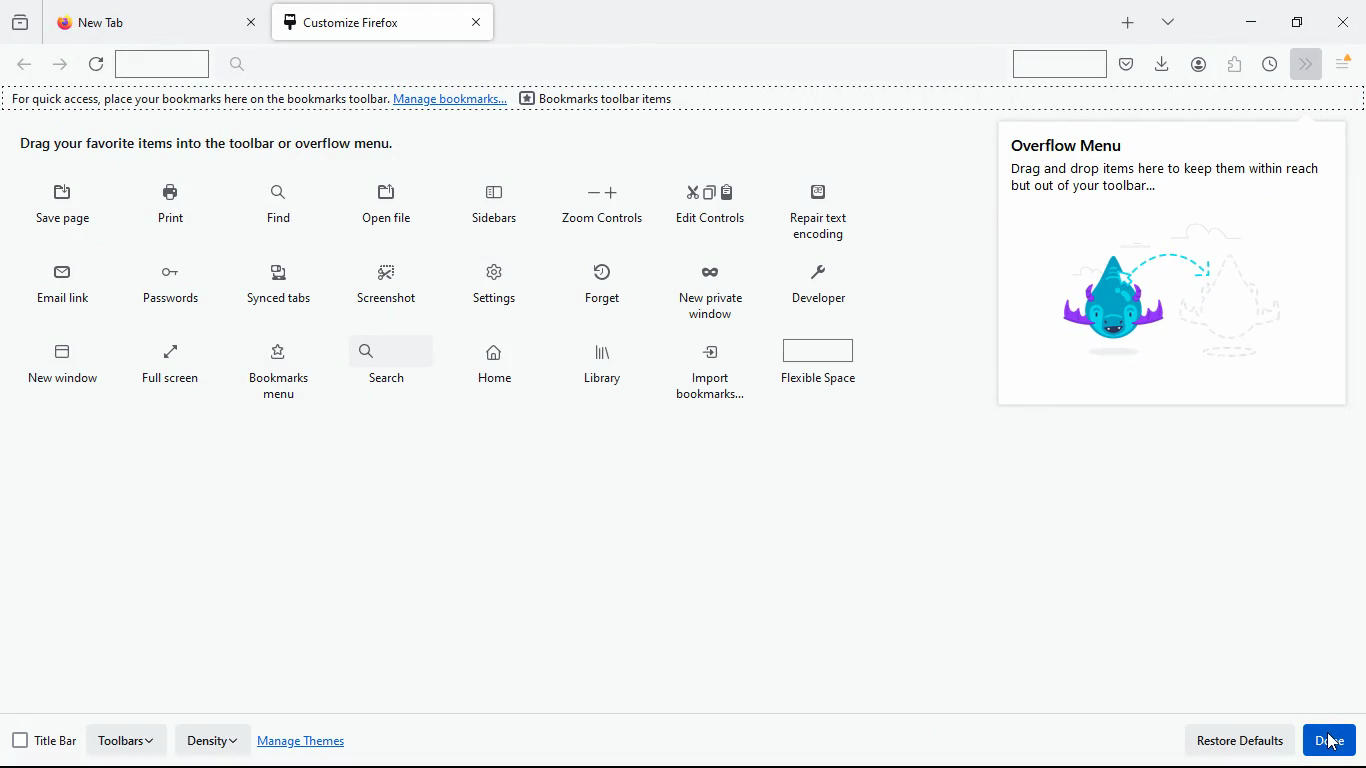 The height and width of the screenshot is (768, 1366). Describe the element at coordinates (1331, 740) in the screenshot. I see `done` at that location.